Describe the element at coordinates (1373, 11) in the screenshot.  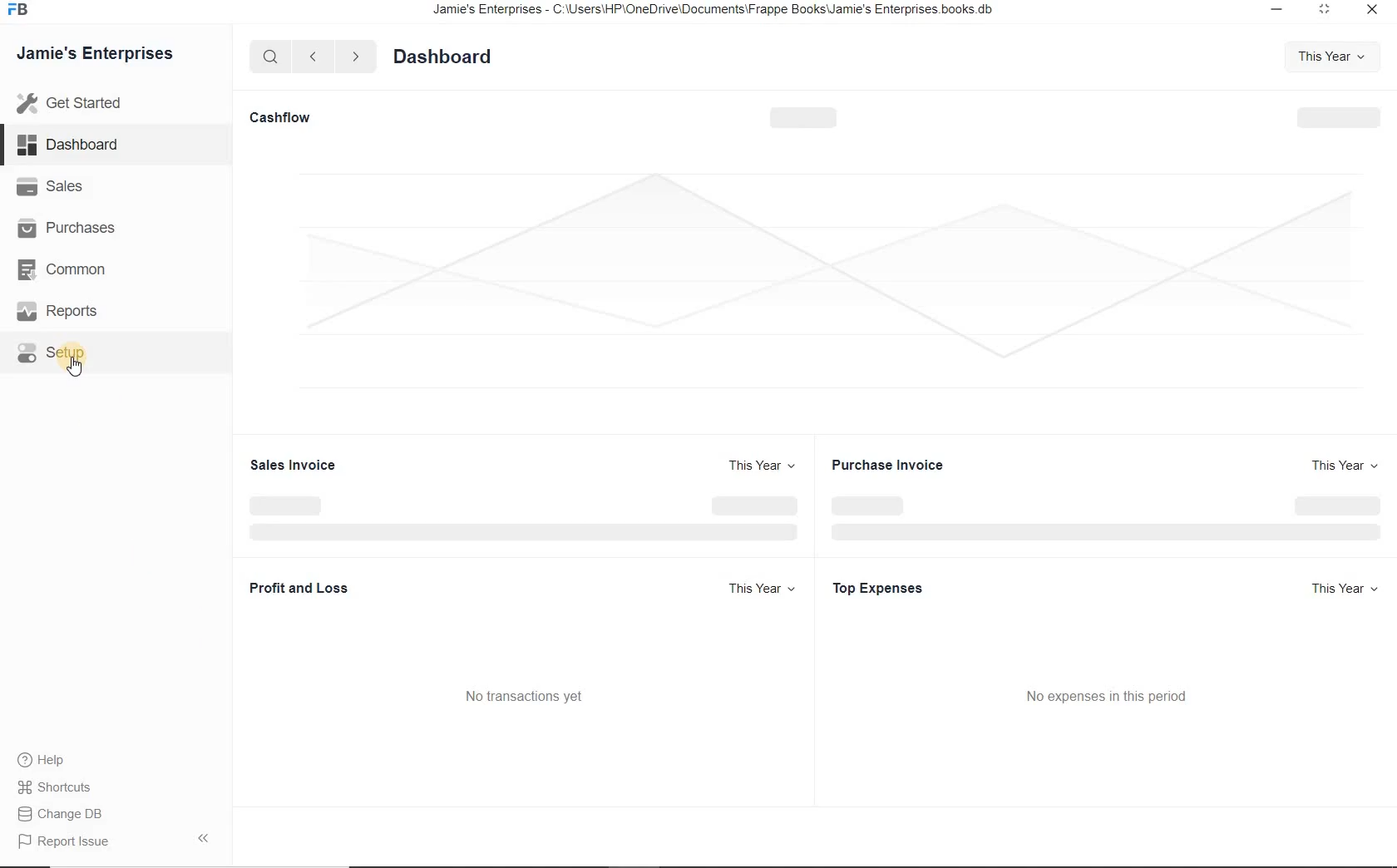
I see `close` at that location.